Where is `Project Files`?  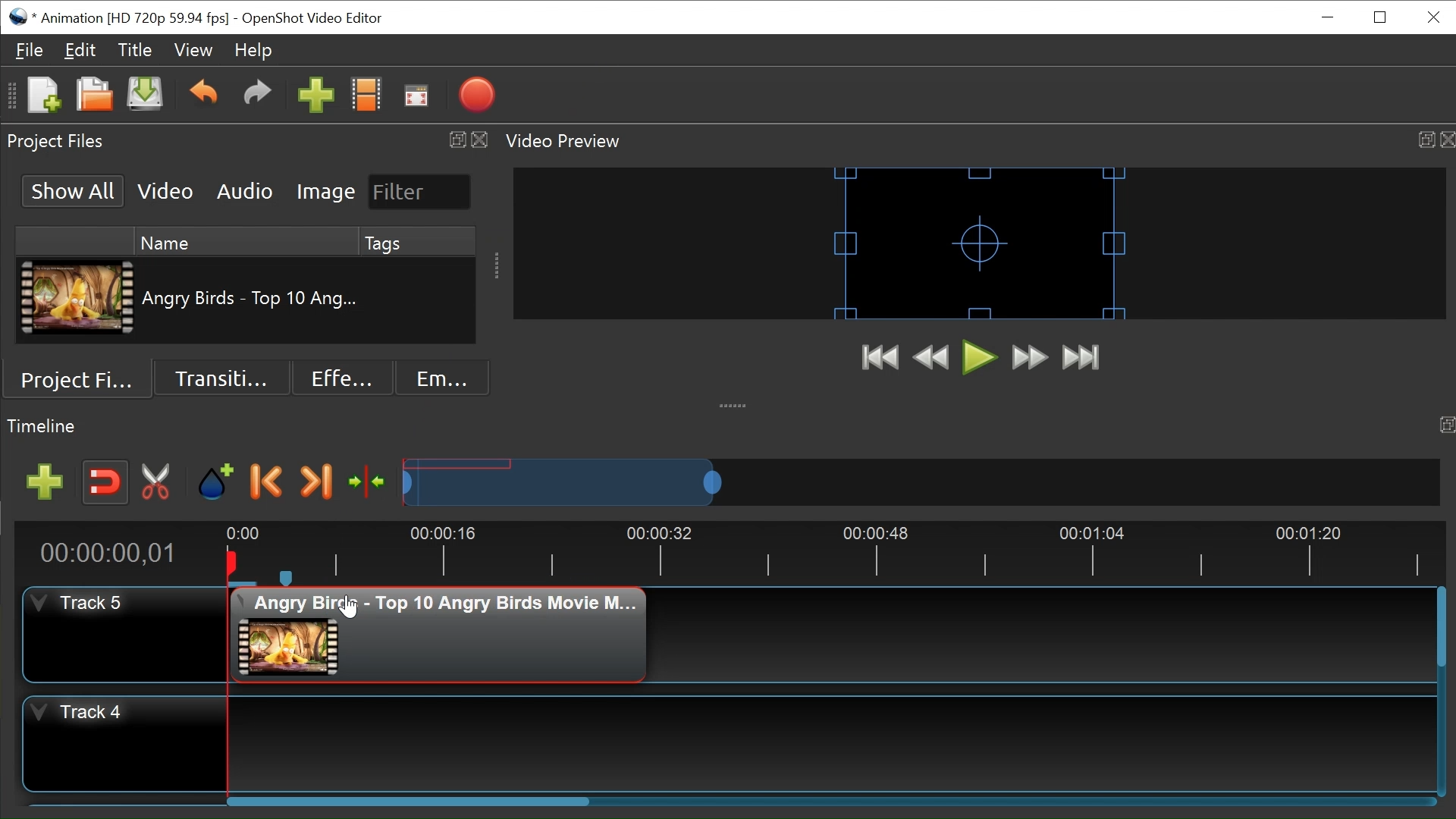 Project Files is located at coordinates (83, 378).